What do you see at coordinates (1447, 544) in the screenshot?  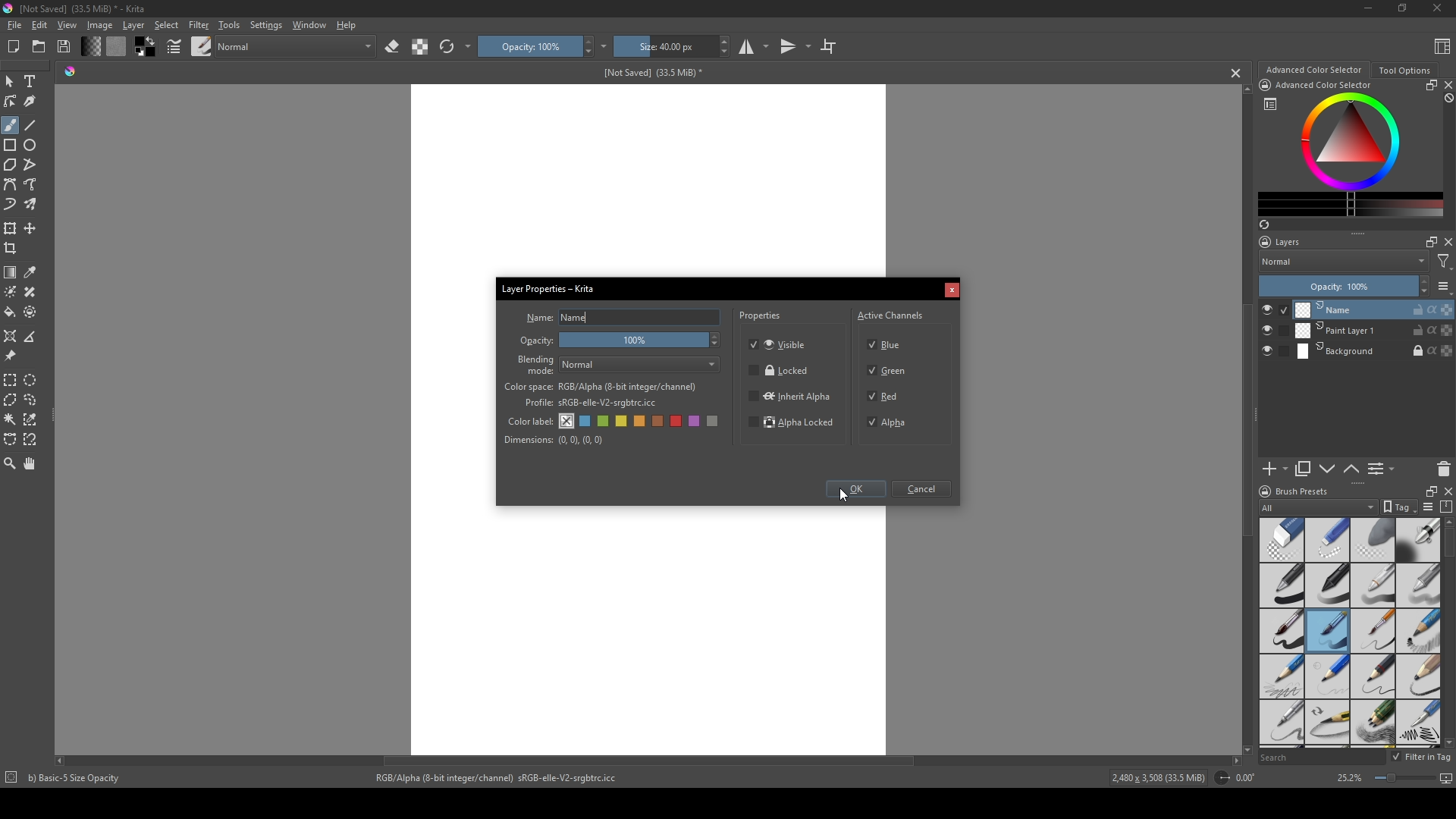 I see `scroll bar` at bounding box center [1447, 544].